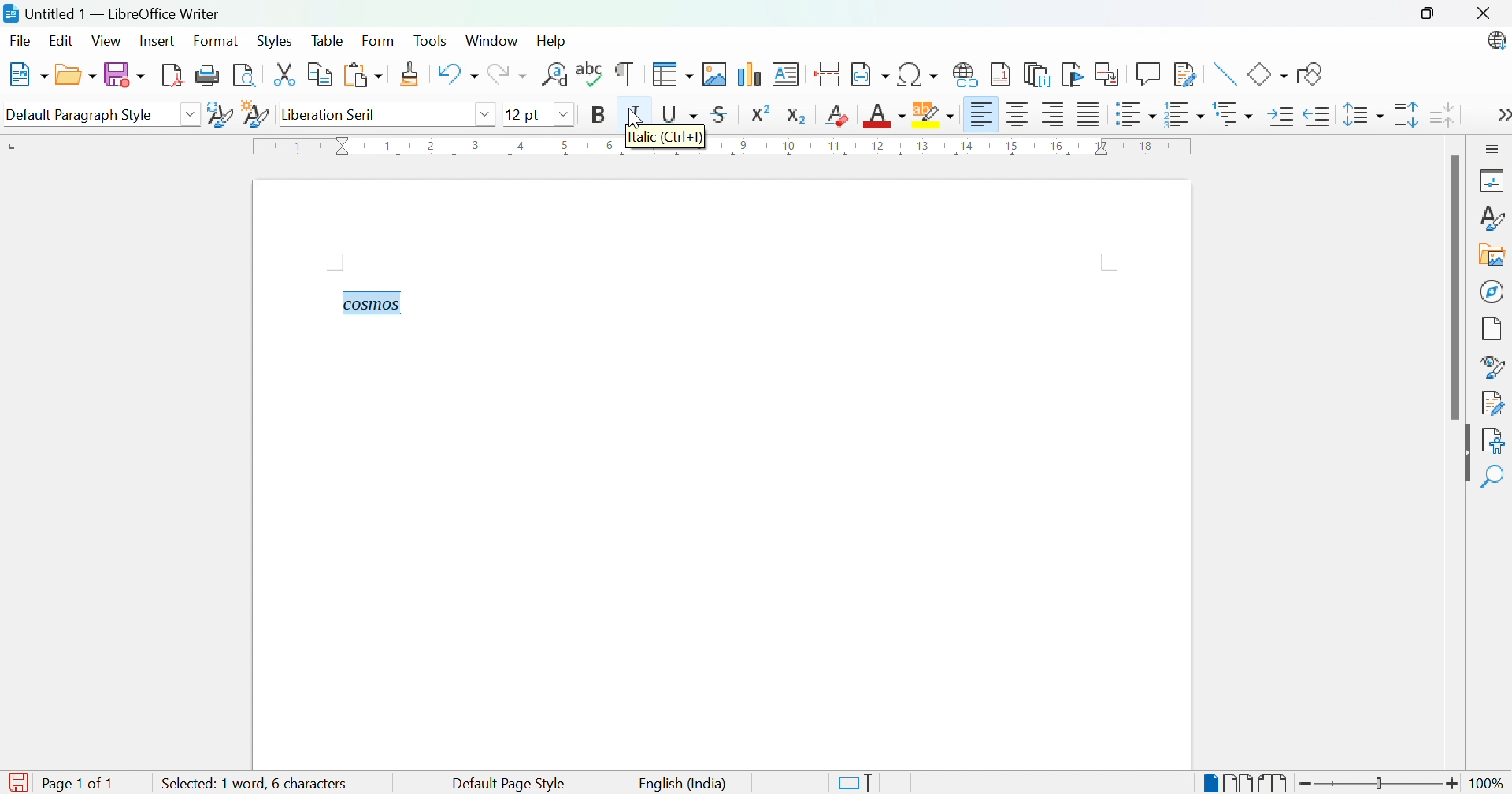 Image resolution: width=1512 pixels, height=794 pixels. I want to click on Sidebar settings, so click(1495, 149).